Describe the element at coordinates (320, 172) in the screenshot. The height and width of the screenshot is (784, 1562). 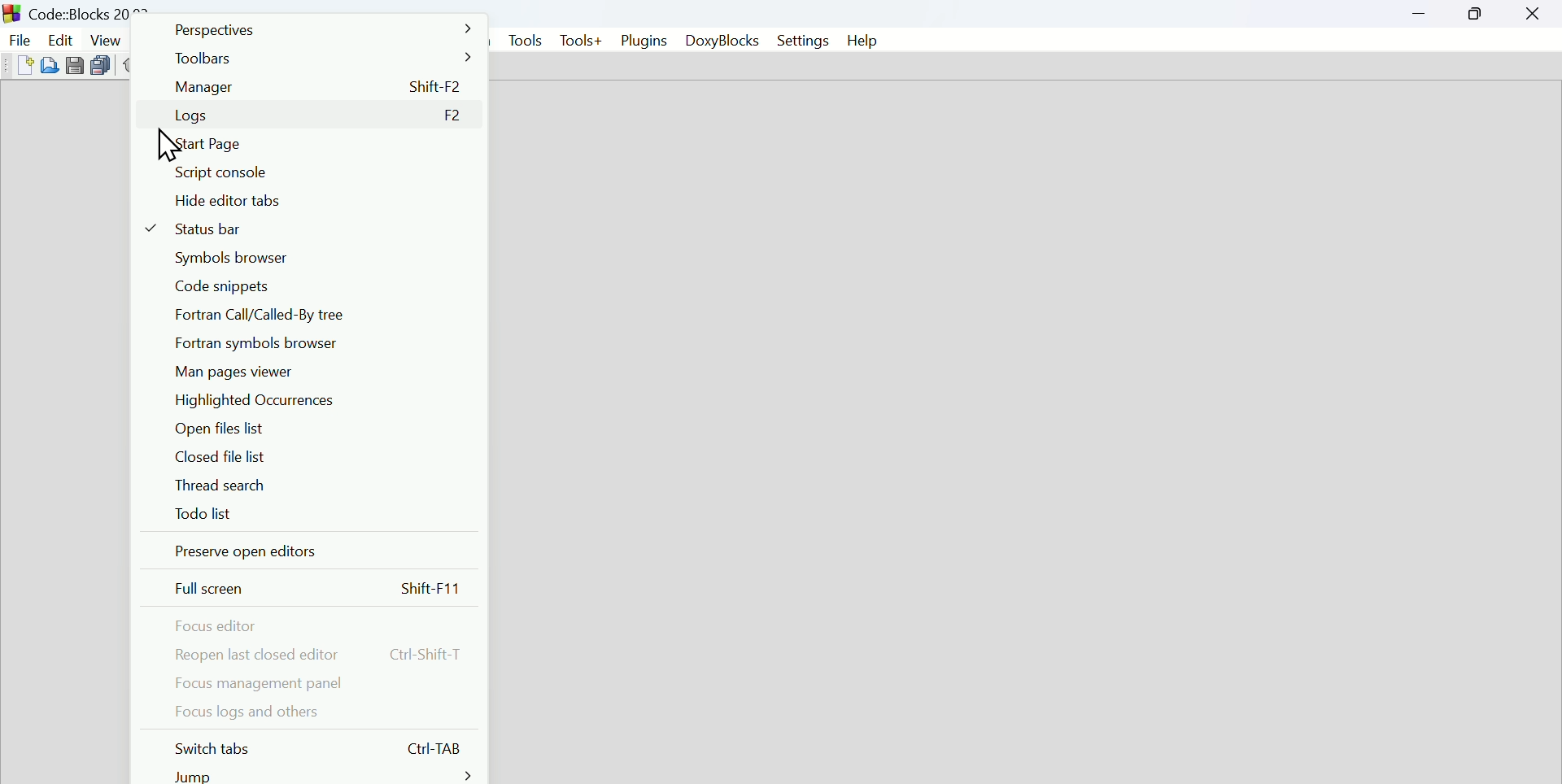
I see `script Console` at that location.